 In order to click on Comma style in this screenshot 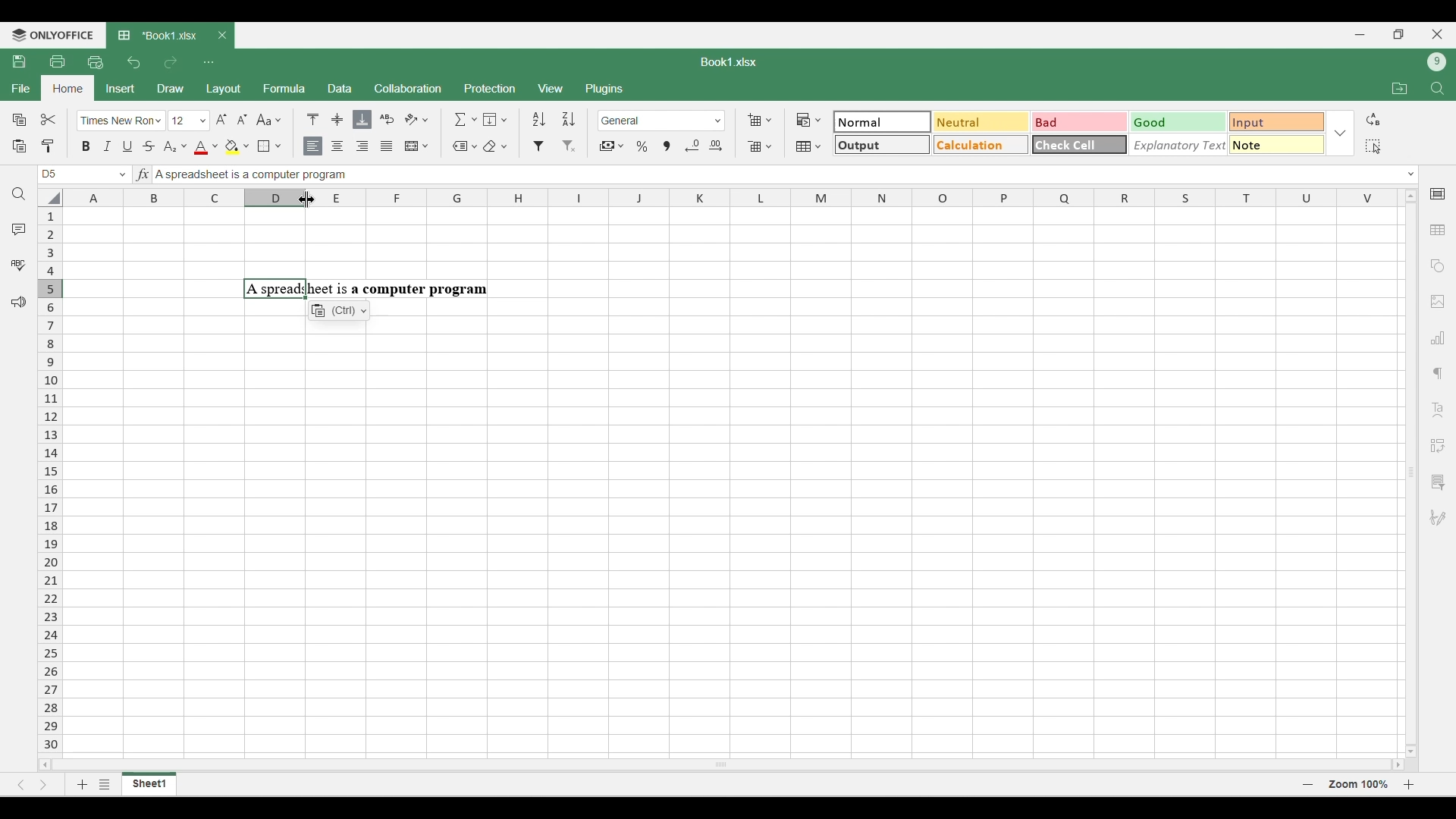, I will do `click(667, 146)`.